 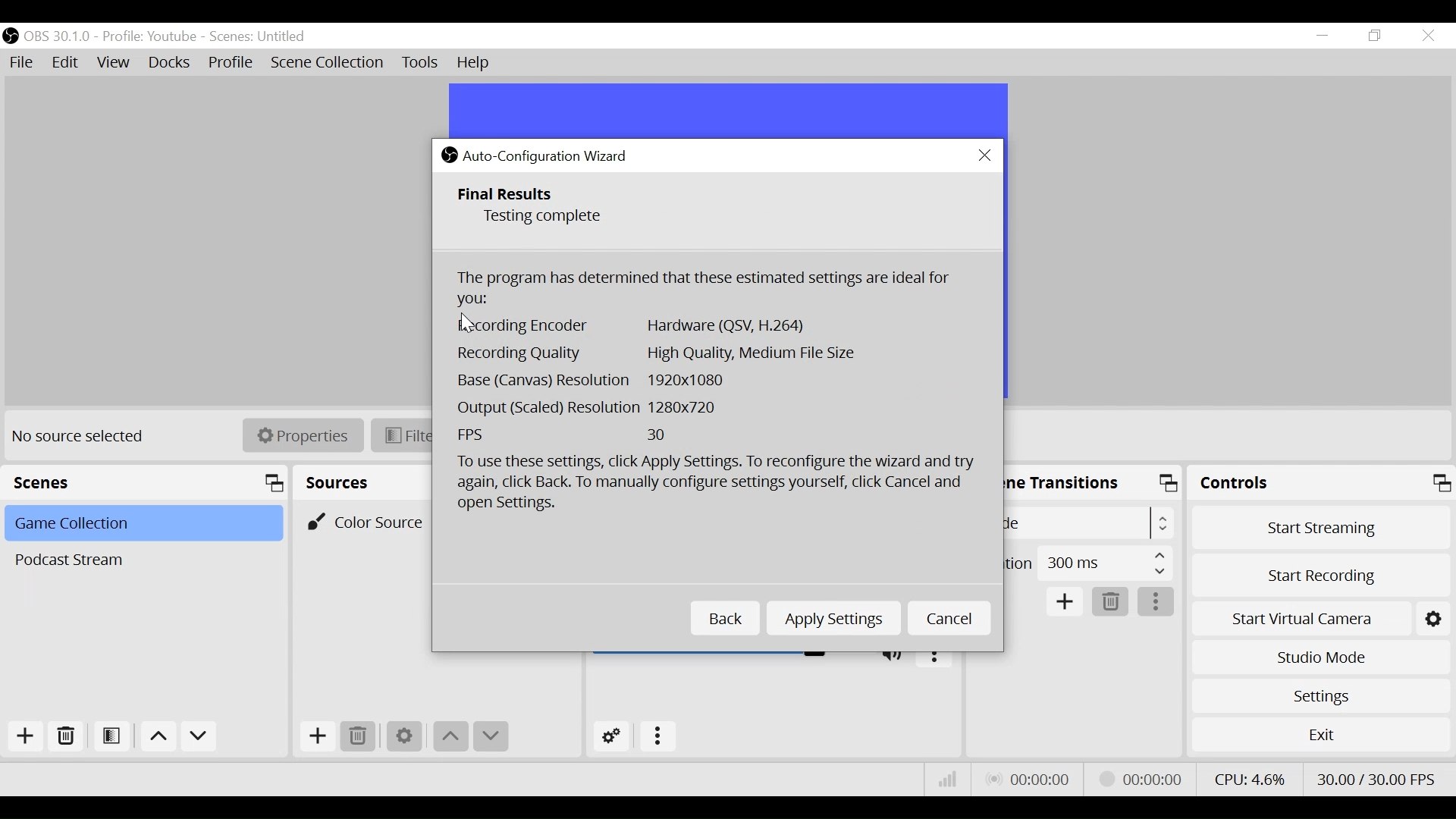 What do you see at coordinates (156, 736) in the screenshot?
I see `Move up` at bounding box center [156, 736].